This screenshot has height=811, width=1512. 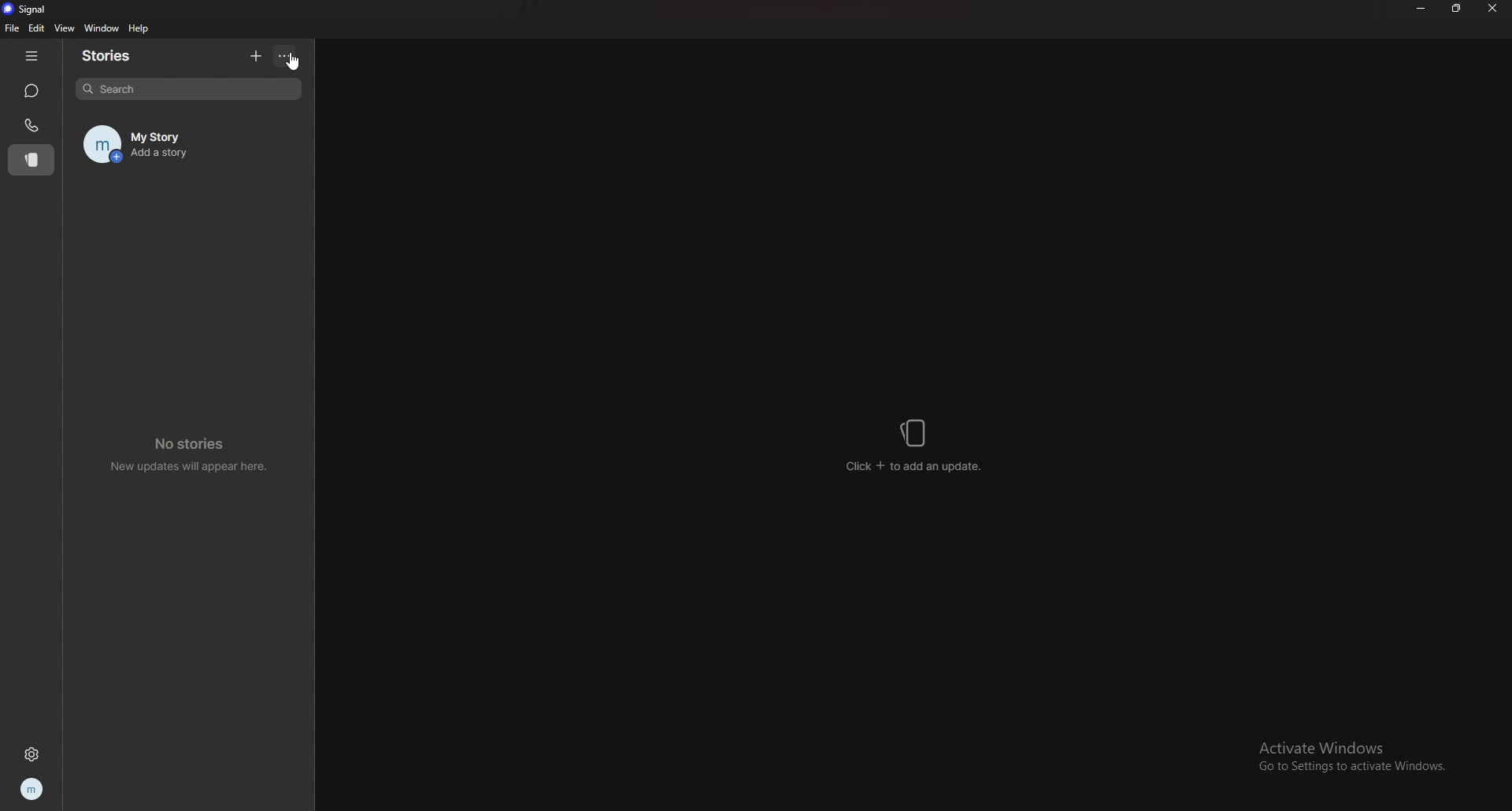 I want to click on options, so click(x=284, y=56).